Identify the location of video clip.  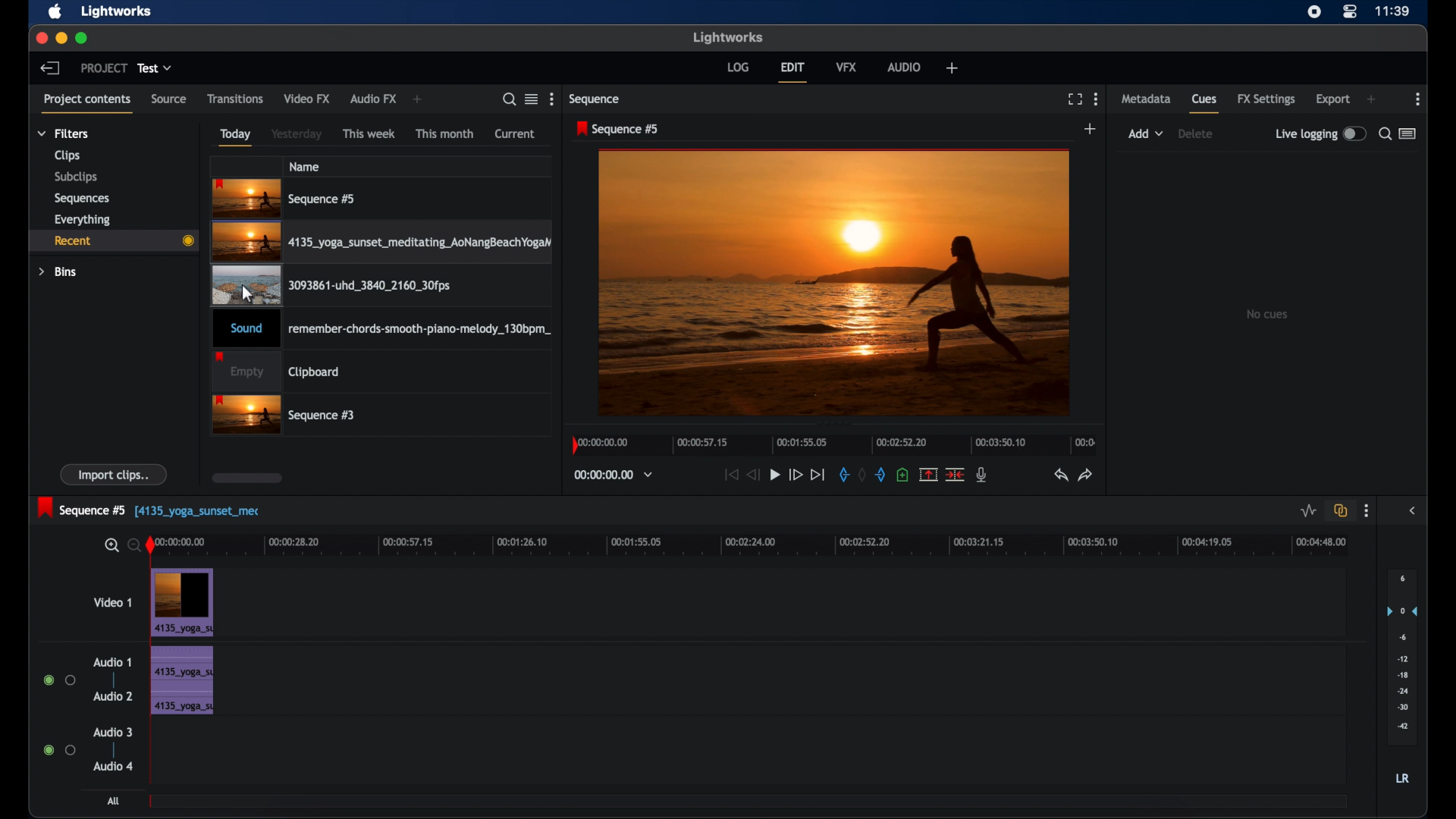
(381, 243).